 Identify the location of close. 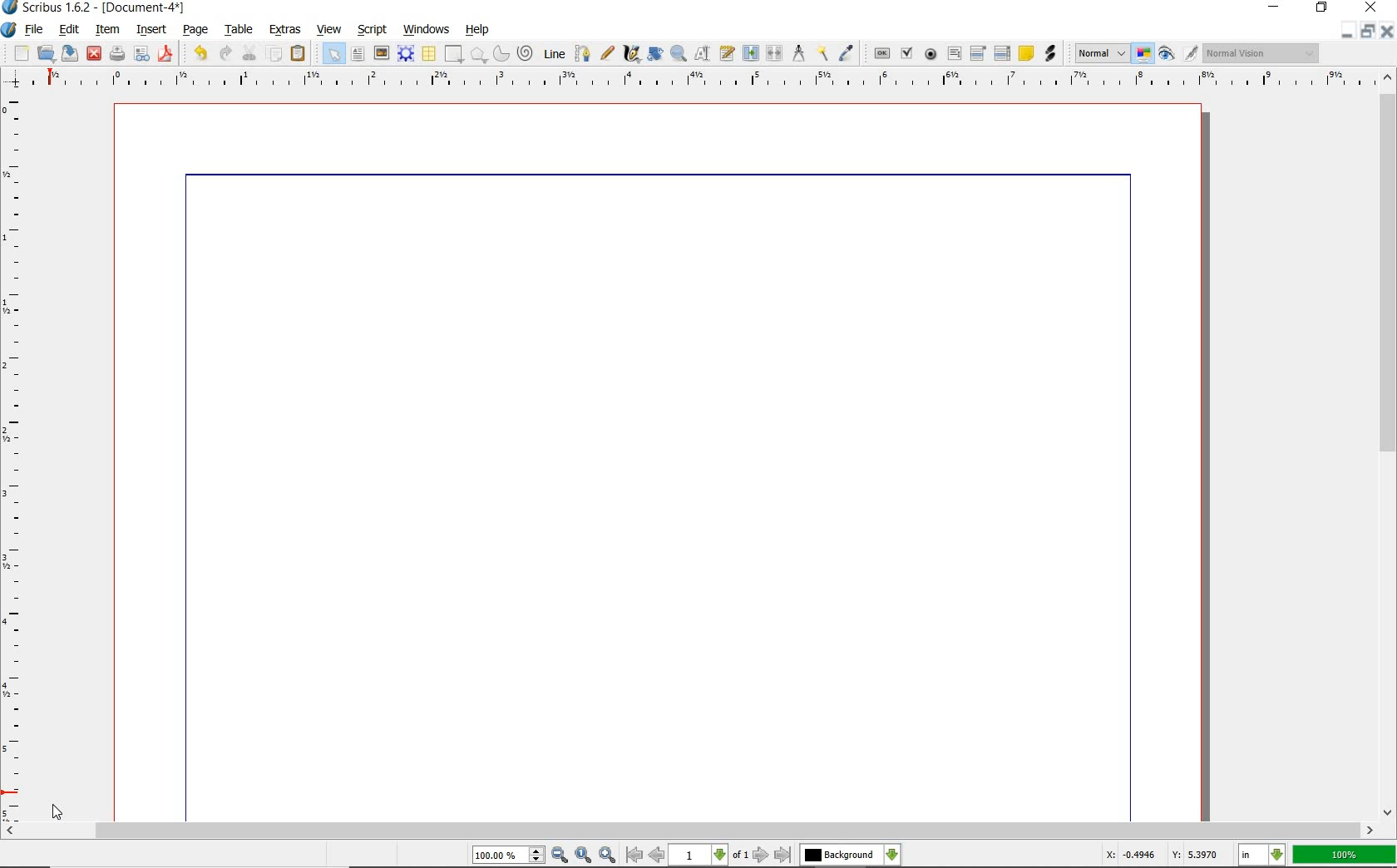
(94, 52).